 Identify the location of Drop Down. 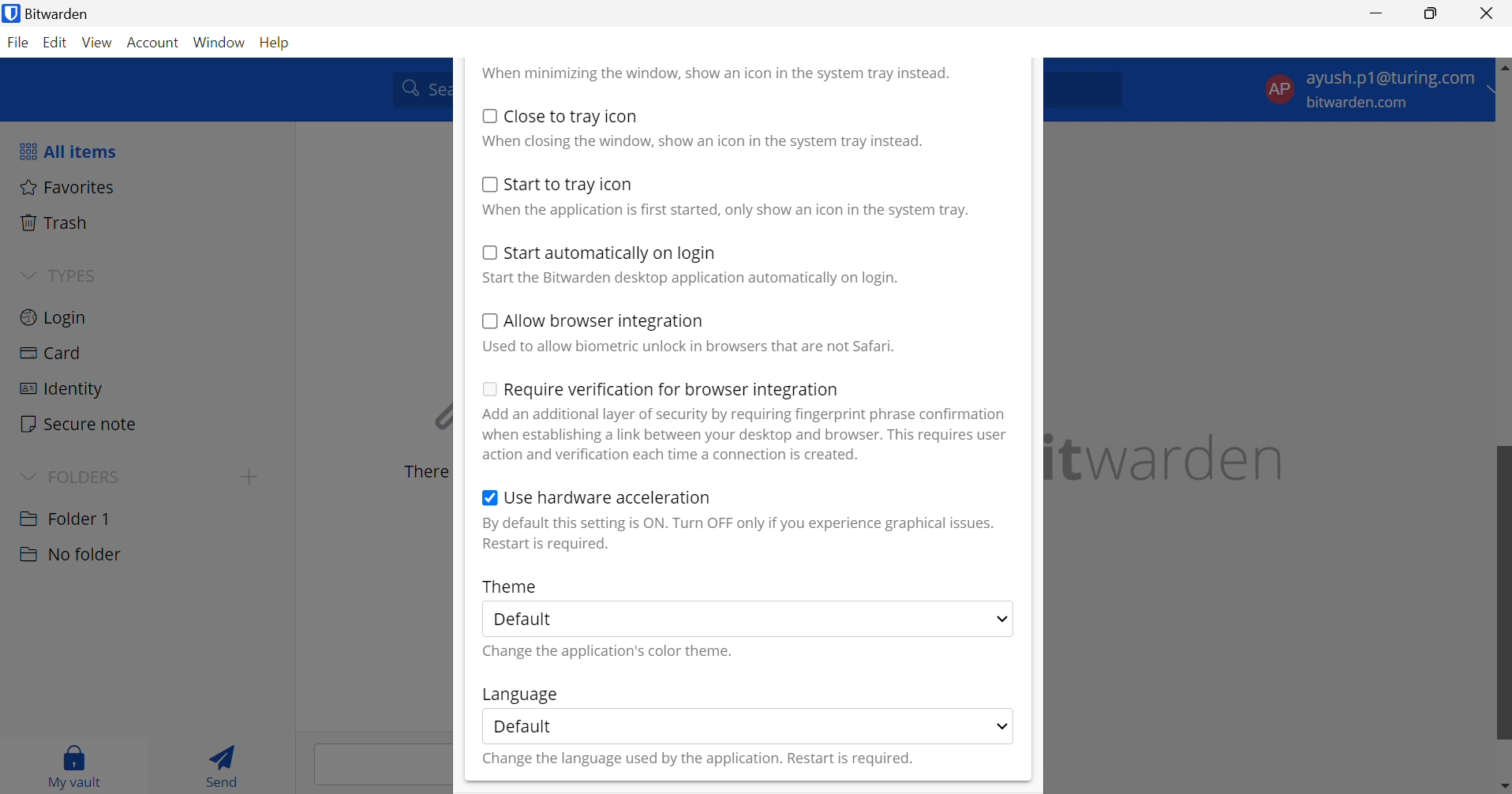
(1496, 90).